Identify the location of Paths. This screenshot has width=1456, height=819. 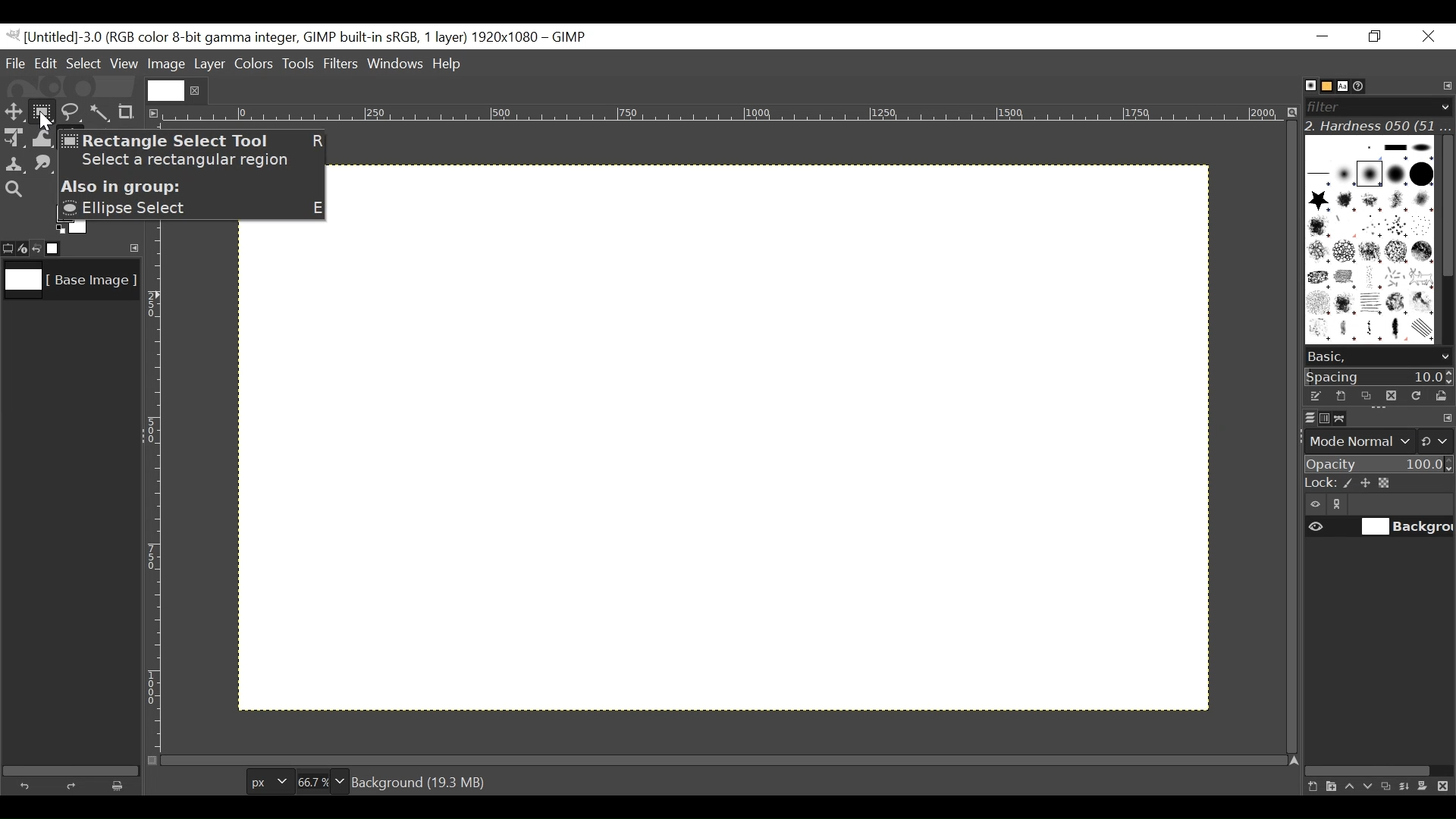
(1344, 419).